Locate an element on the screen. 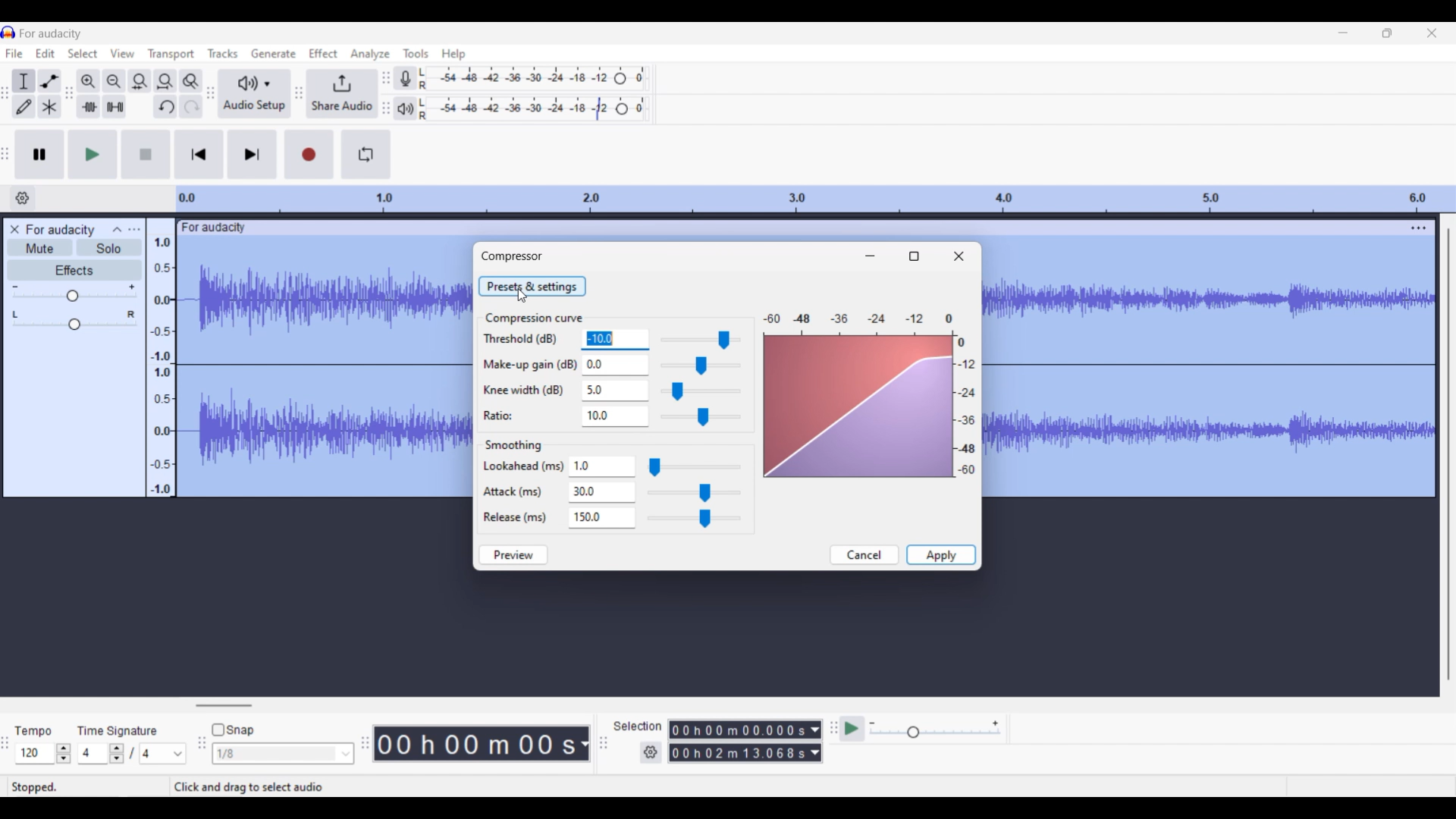 Image resolution: width=1456 pixels, height=819 pixels. Enable looping is located at coordinates (366, 154).